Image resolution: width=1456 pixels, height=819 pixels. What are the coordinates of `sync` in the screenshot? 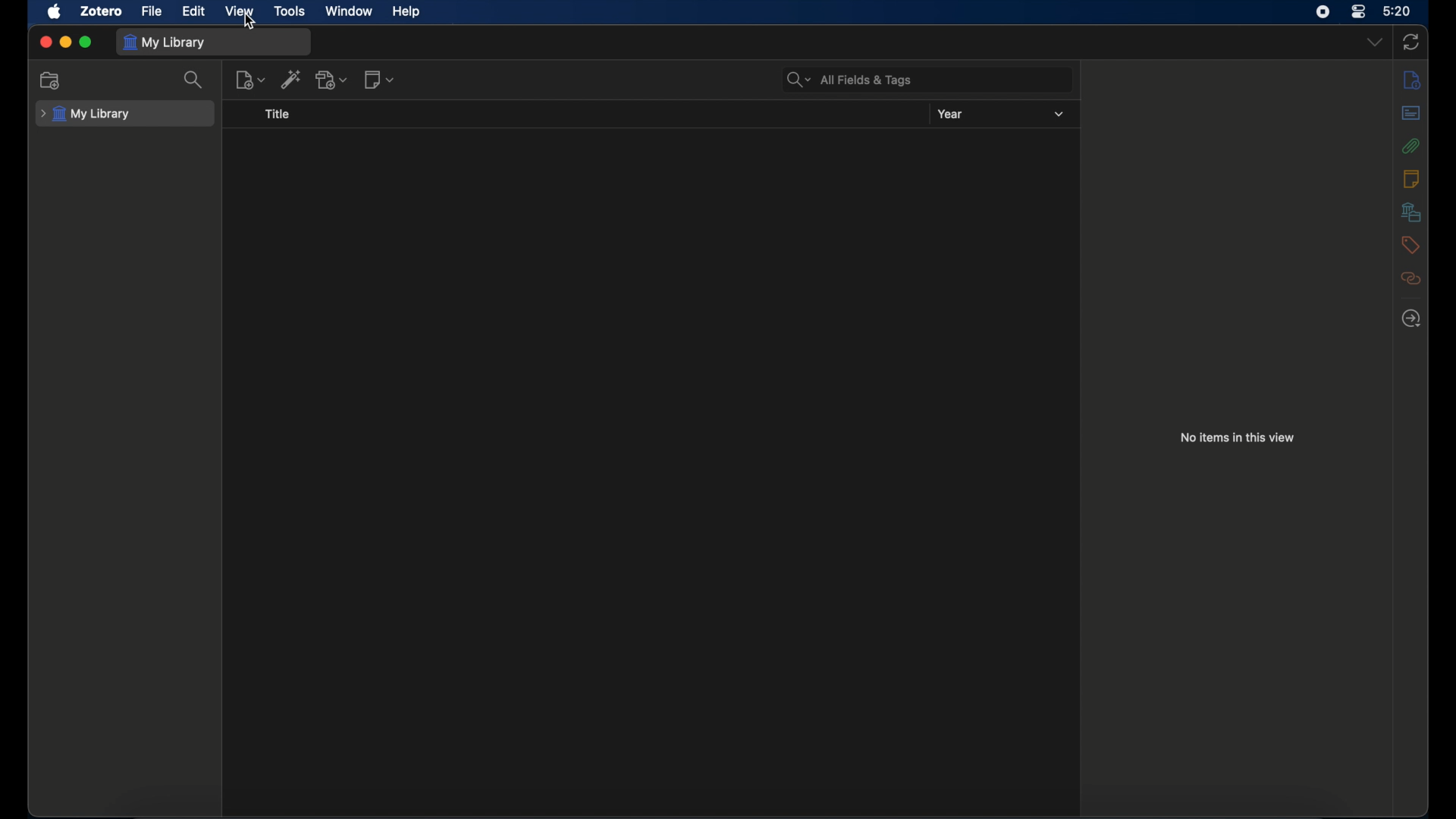 It's located at (1410, 42).